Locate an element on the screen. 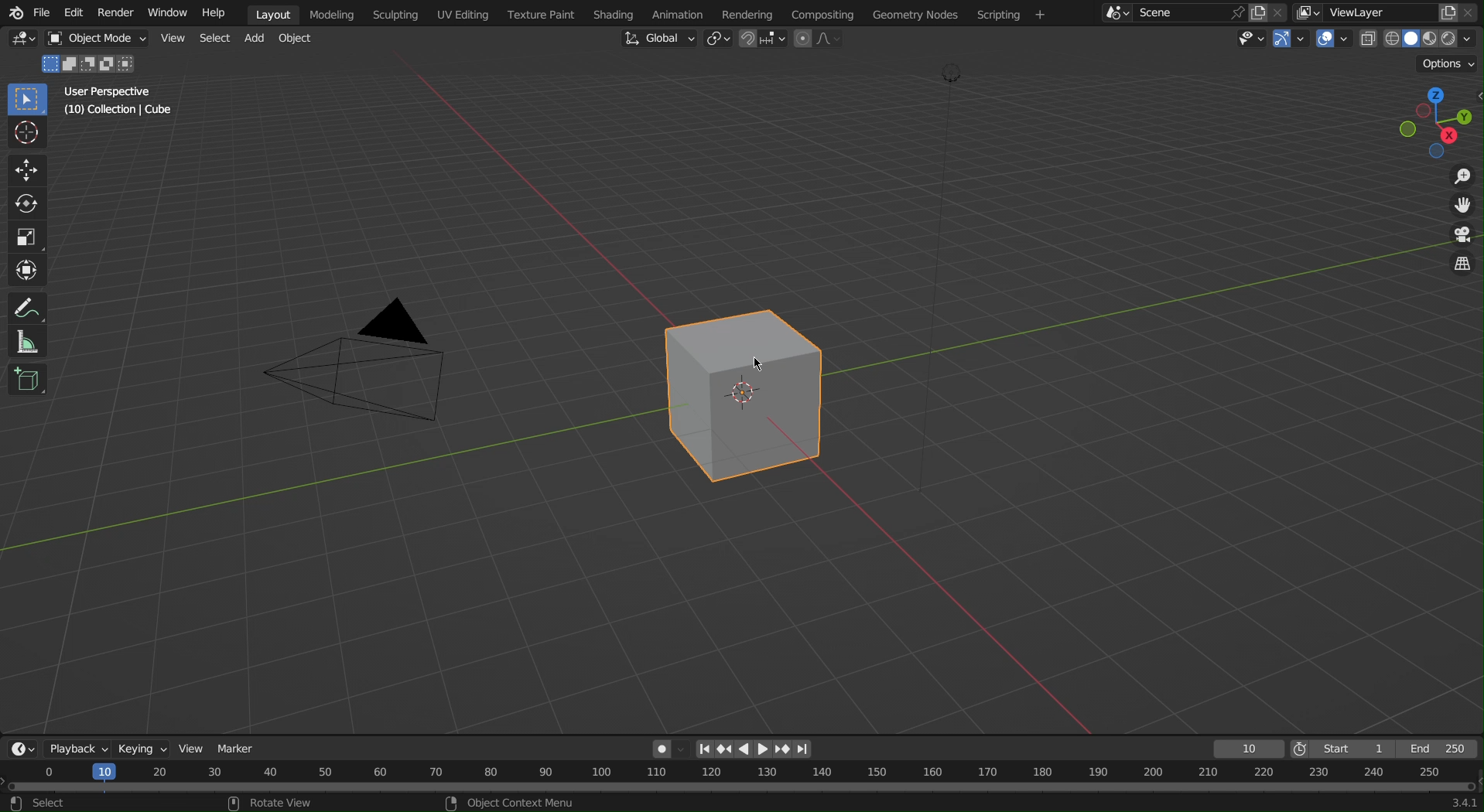 This screenshot has height=812, width=1484. Transform Pivot Point is located at coordinates (721, 40).